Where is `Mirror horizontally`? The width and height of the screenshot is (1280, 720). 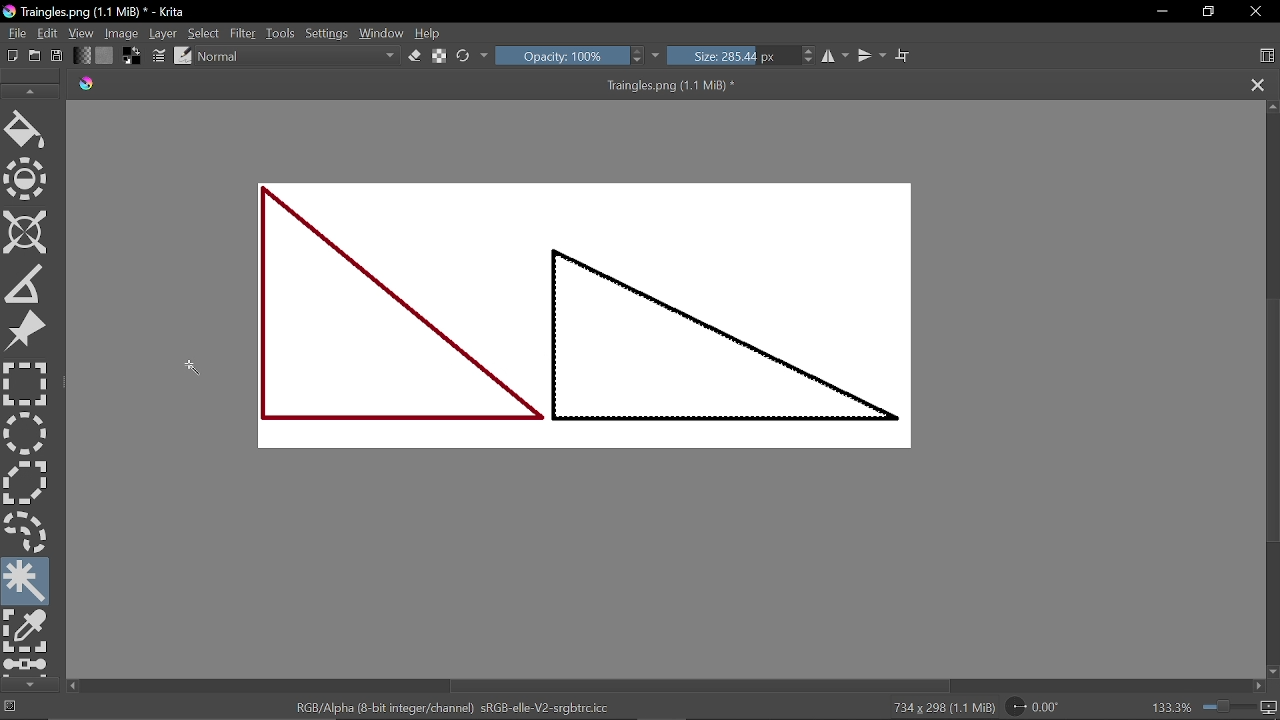 Mirror horizontally is located at coordinates (836, 55).